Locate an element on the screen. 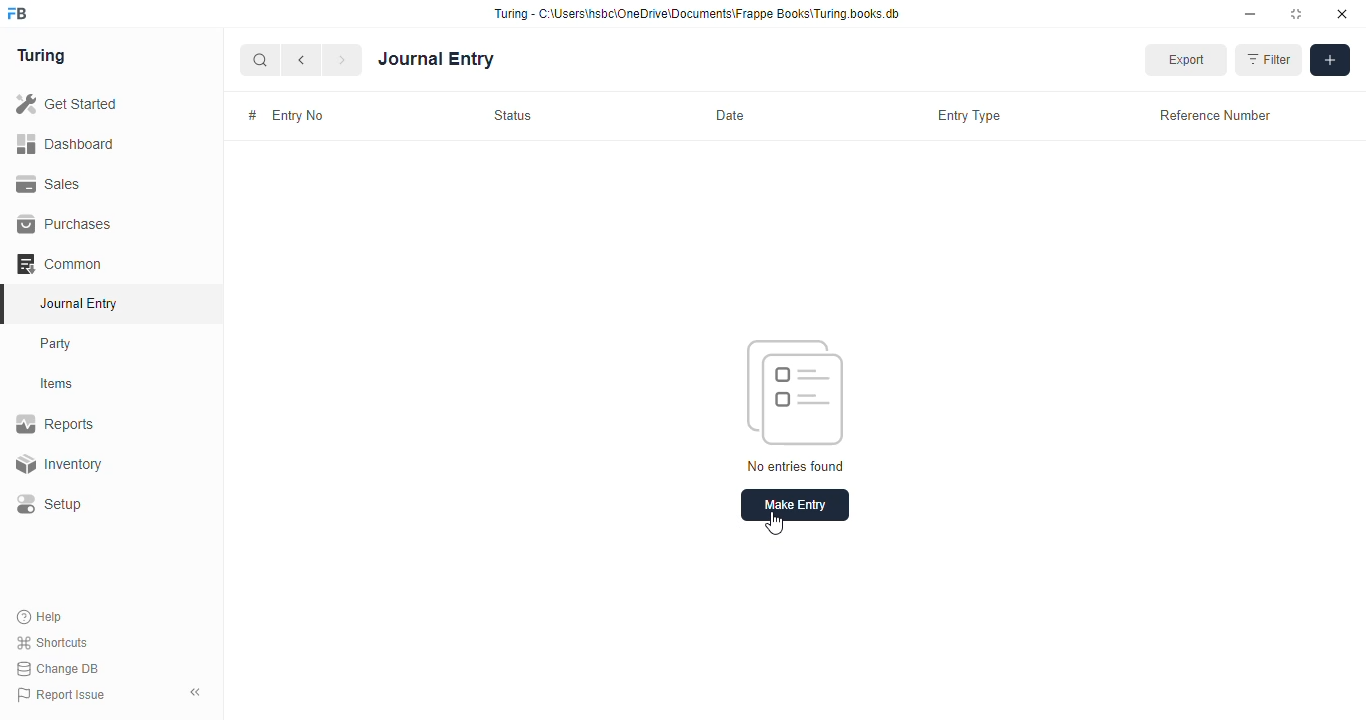  report issue is located at coordinates (61, 695).